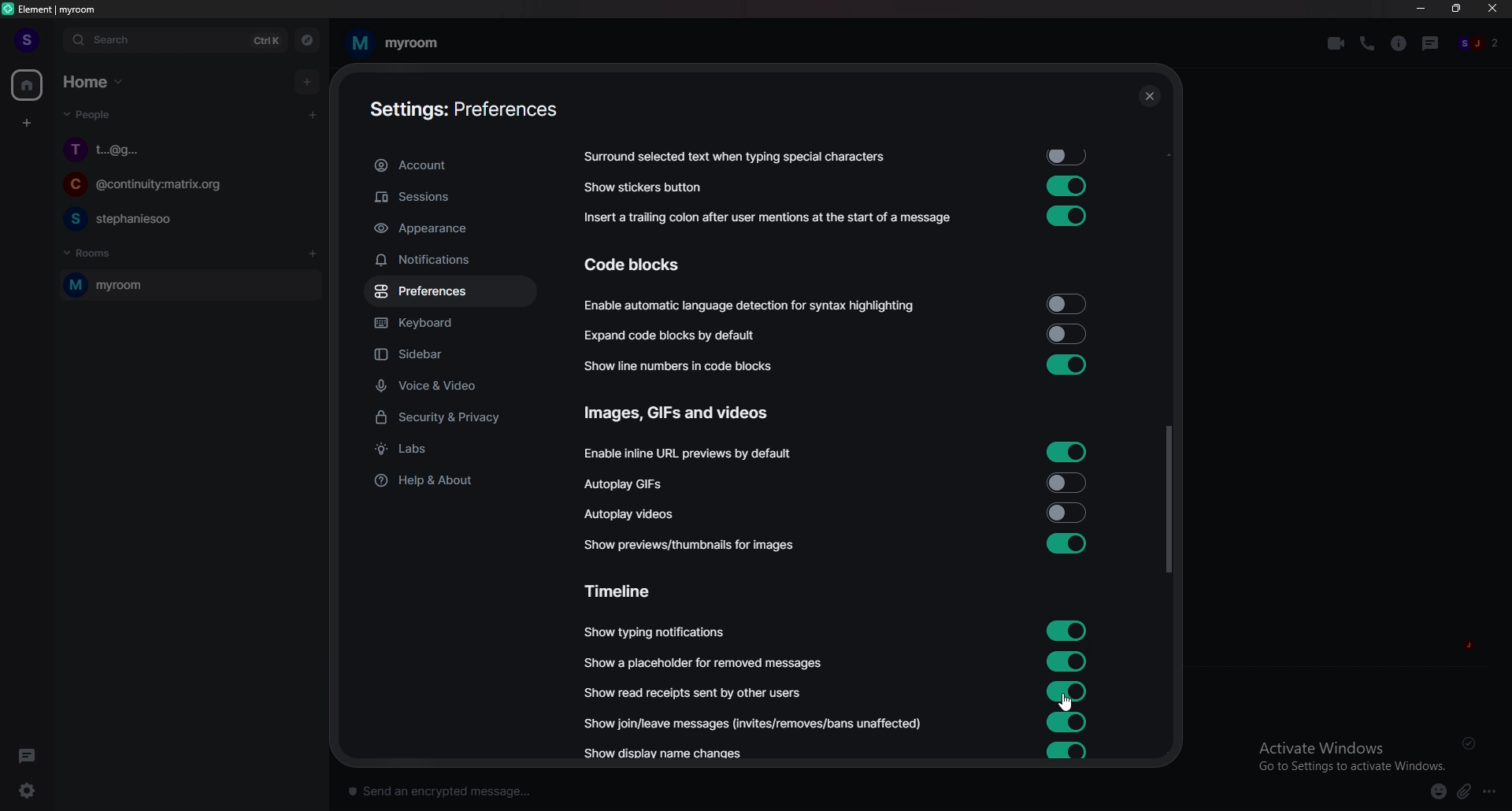 Image resolution: width=1512 pixels, height=811 pixels. What do you see at coordinates (1336, 43) in the screenshot?
I see `video call` at bounding box center [1336, 43].